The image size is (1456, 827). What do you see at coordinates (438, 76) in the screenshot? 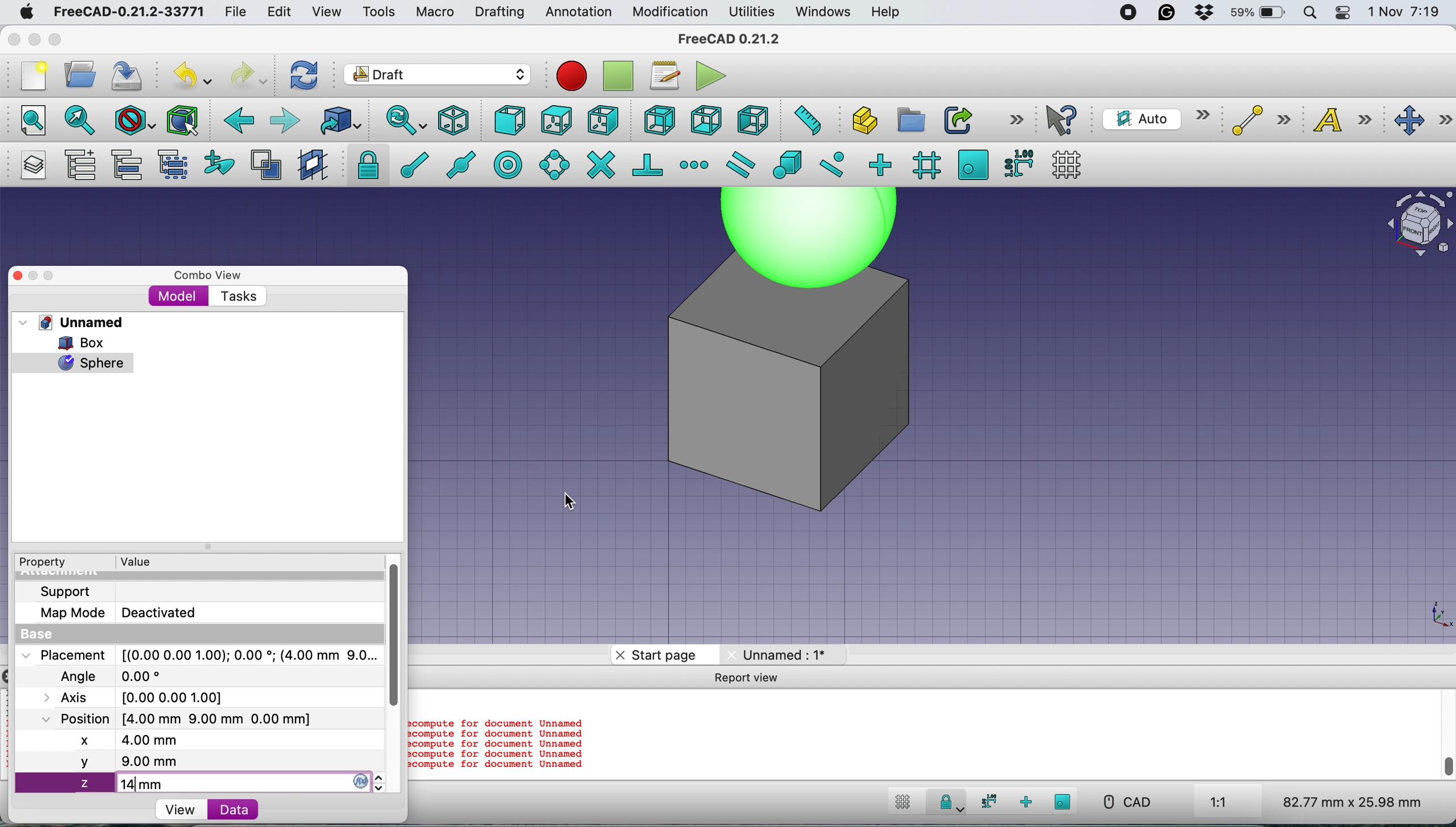
I see `workbench` at bounding box center [438, 76].